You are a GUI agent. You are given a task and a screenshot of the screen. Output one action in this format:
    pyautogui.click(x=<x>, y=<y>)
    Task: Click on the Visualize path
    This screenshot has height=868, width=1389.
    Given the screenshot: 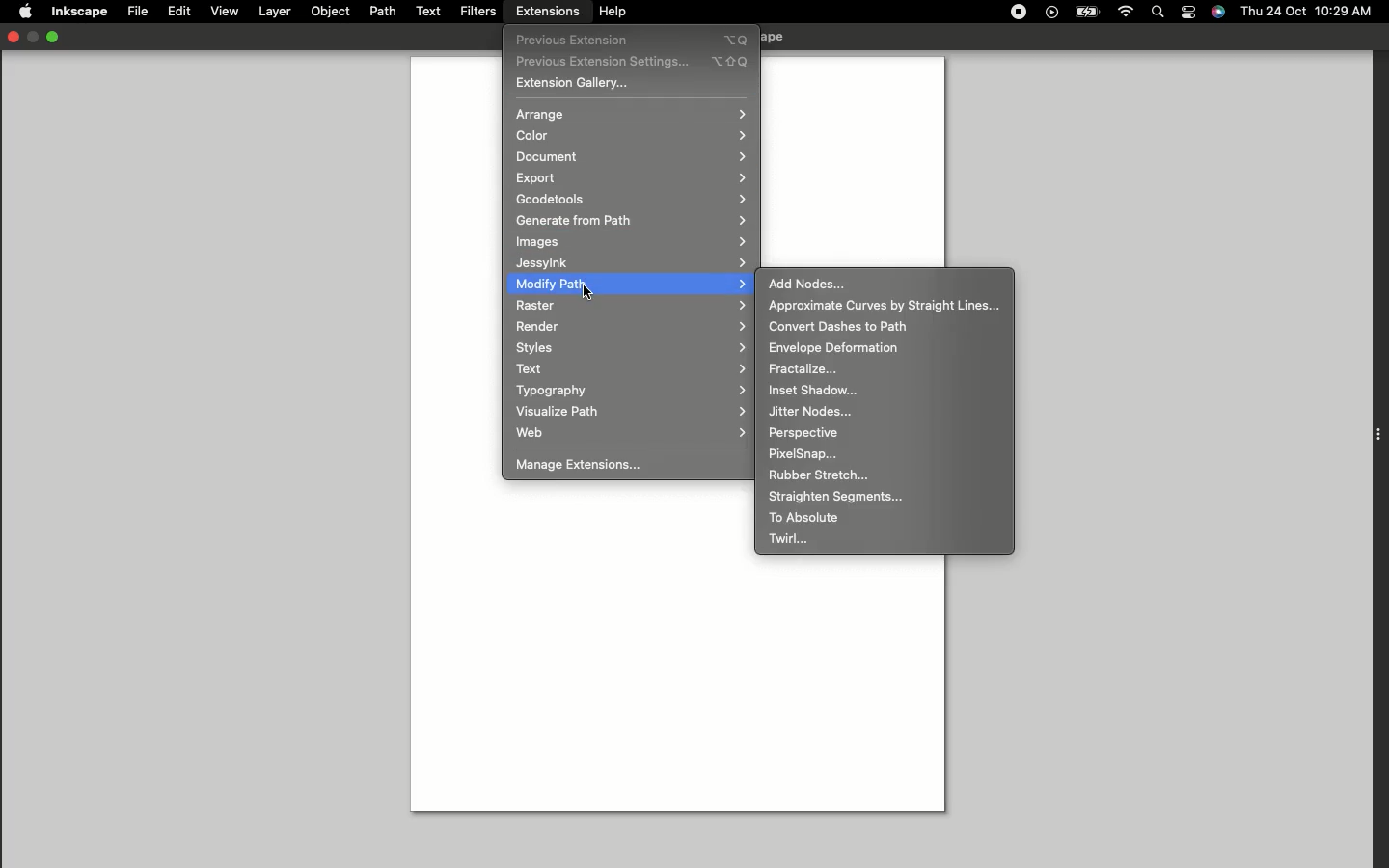 What is the action you would take?
    pyautogui.click(x=629, y=411)
    